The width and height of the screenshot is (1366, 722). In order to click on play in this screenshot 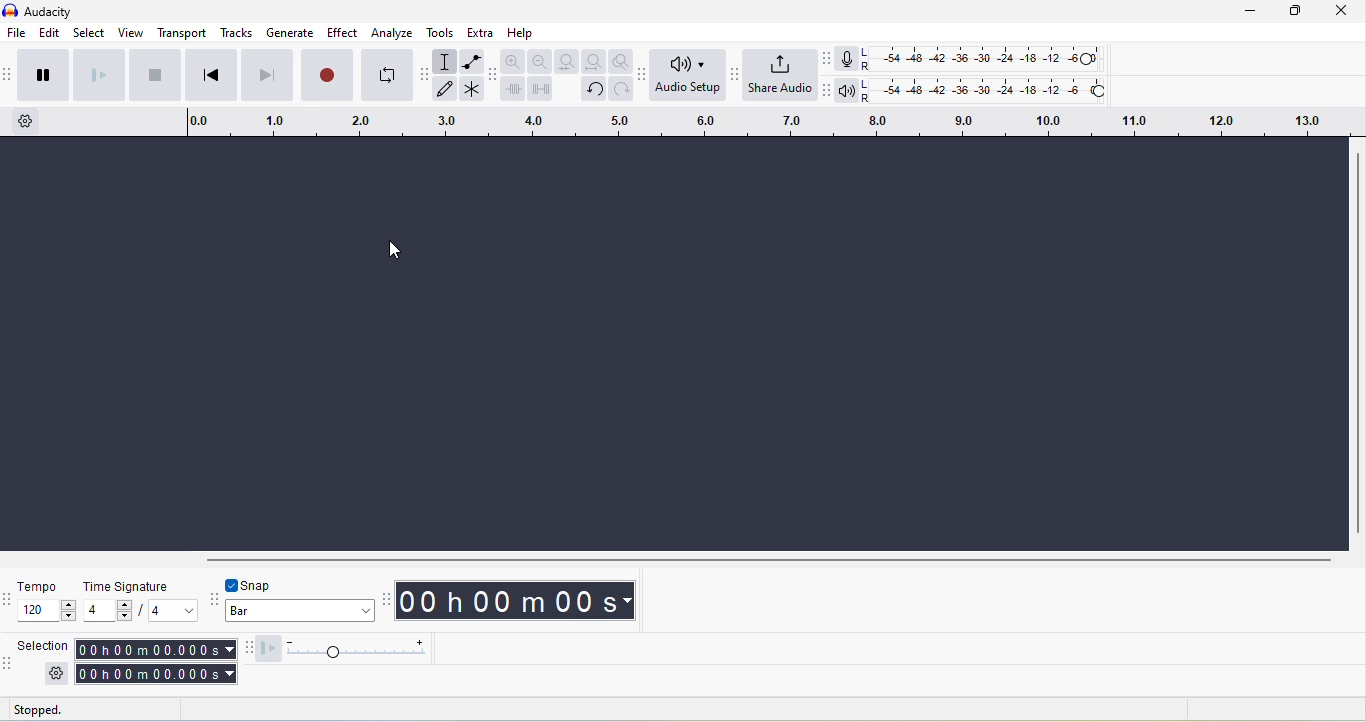, I will do `click(104, 75)`.